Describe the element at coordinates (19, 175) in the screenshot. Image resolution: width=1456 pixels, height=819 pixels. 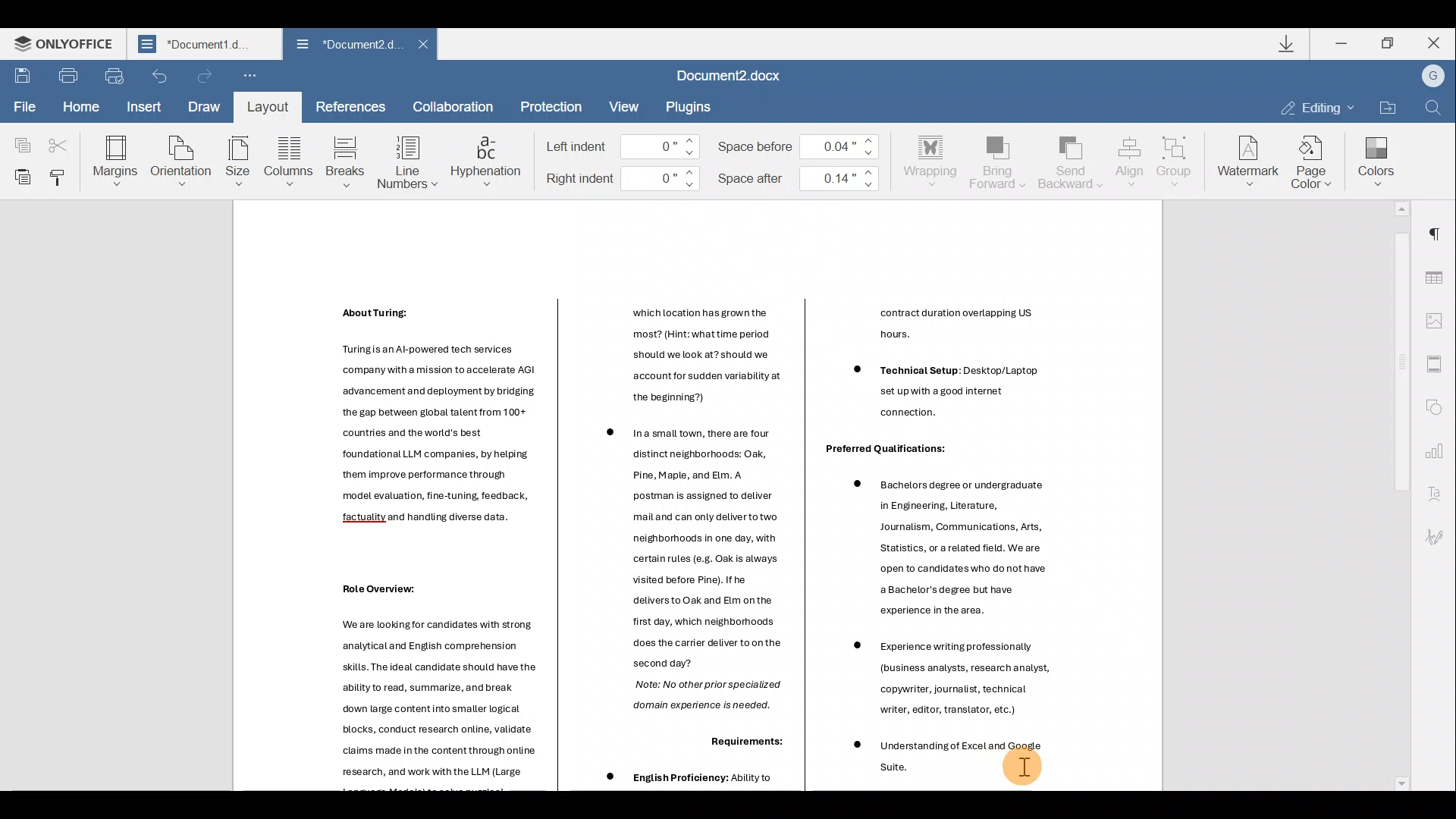
I see `Paste` at that location.